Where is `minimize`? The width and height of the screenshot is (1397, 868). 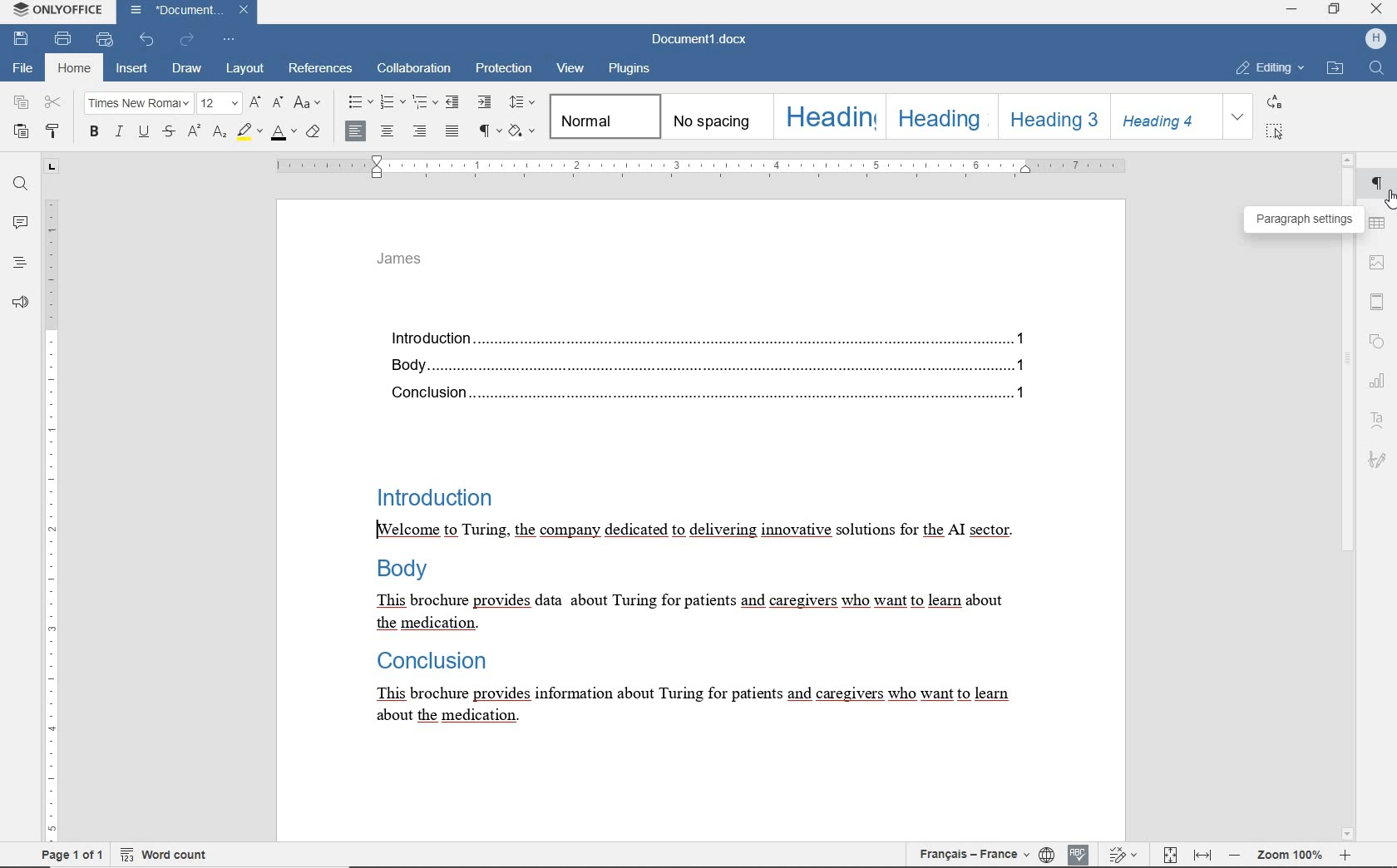 minimize is located at coordinates (1291, 9).